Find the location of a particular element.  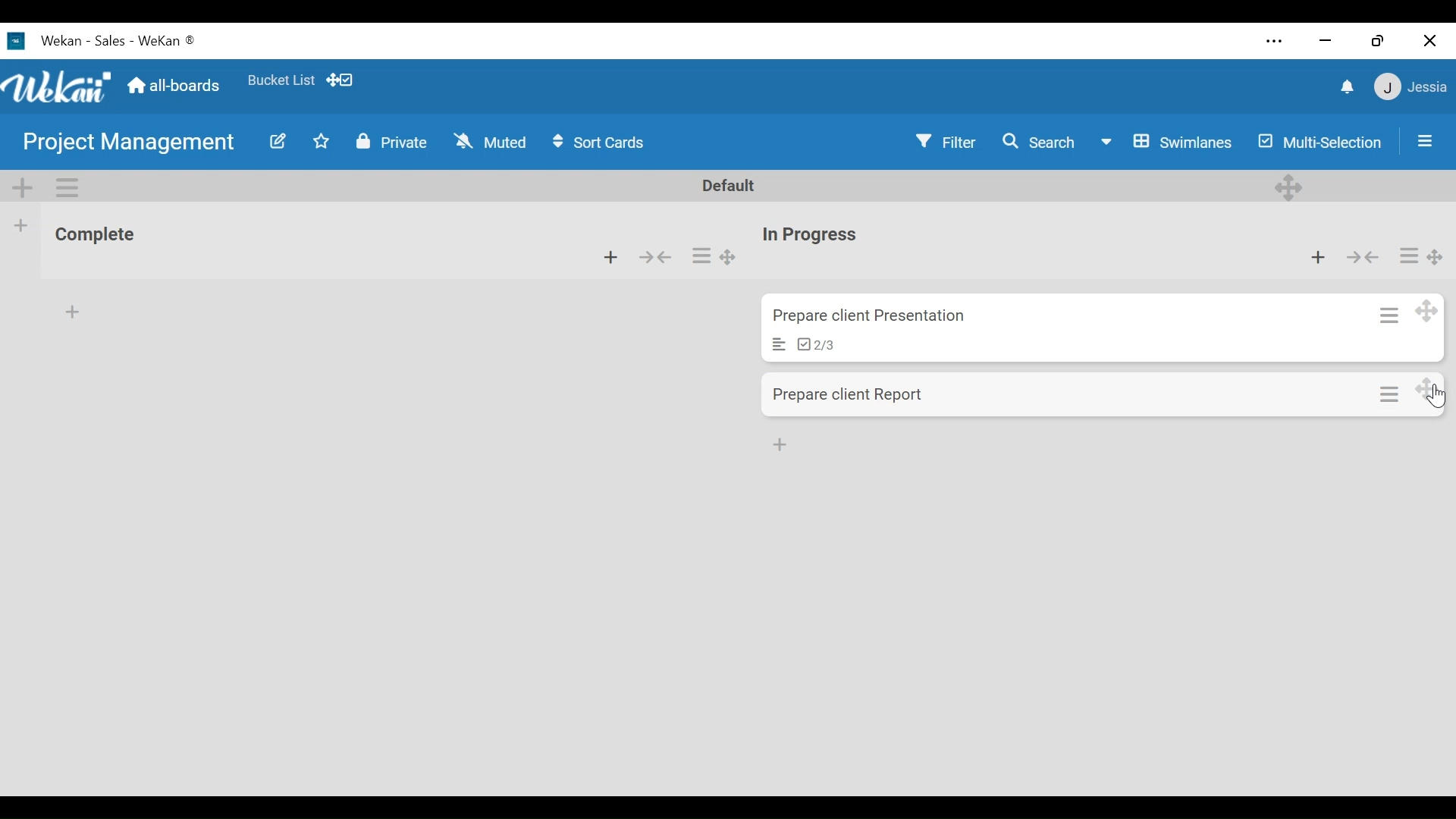

Filter  is located at coordinates (947, 143).